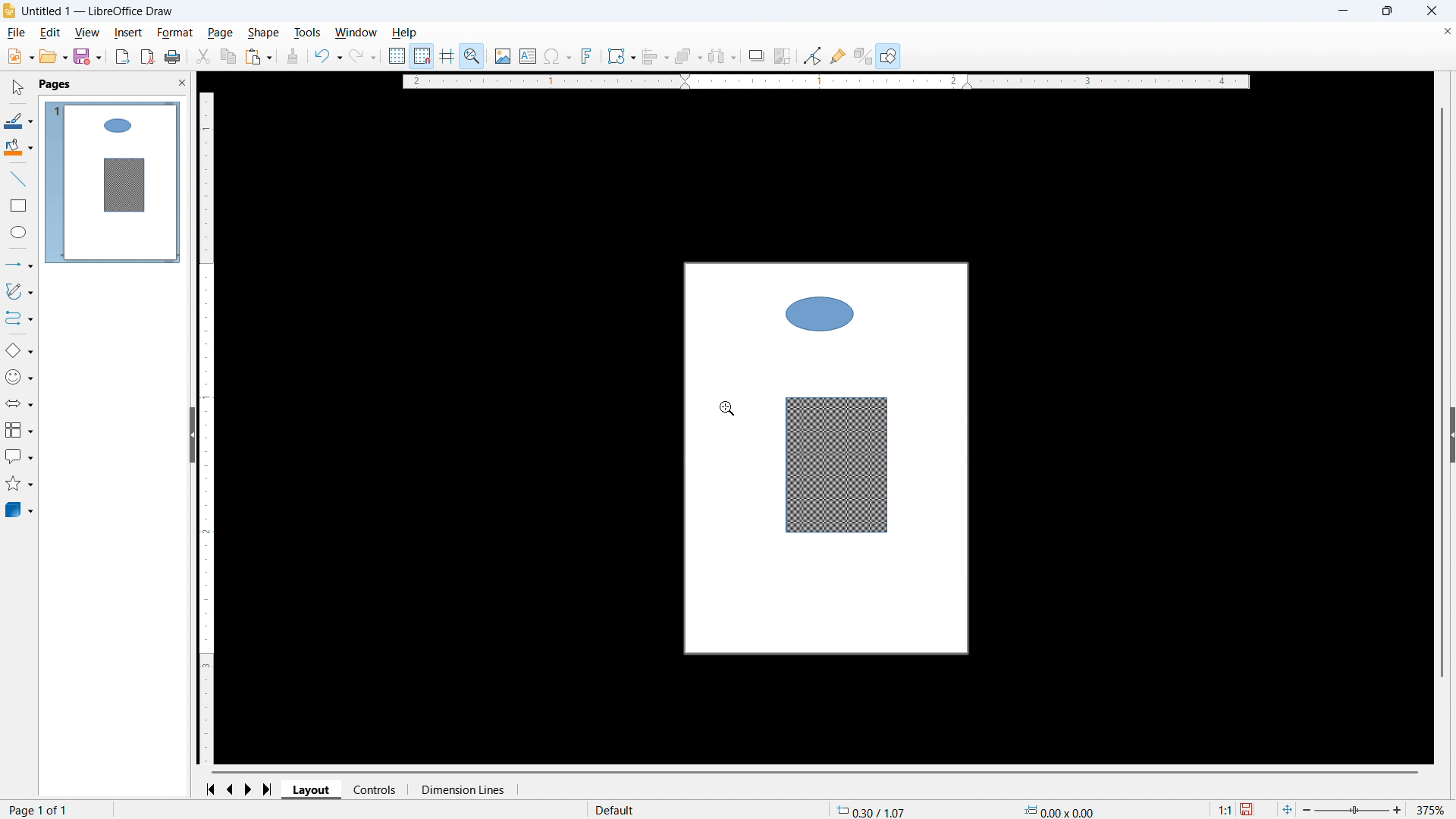  I want to click on Copy , so click(227, 56).